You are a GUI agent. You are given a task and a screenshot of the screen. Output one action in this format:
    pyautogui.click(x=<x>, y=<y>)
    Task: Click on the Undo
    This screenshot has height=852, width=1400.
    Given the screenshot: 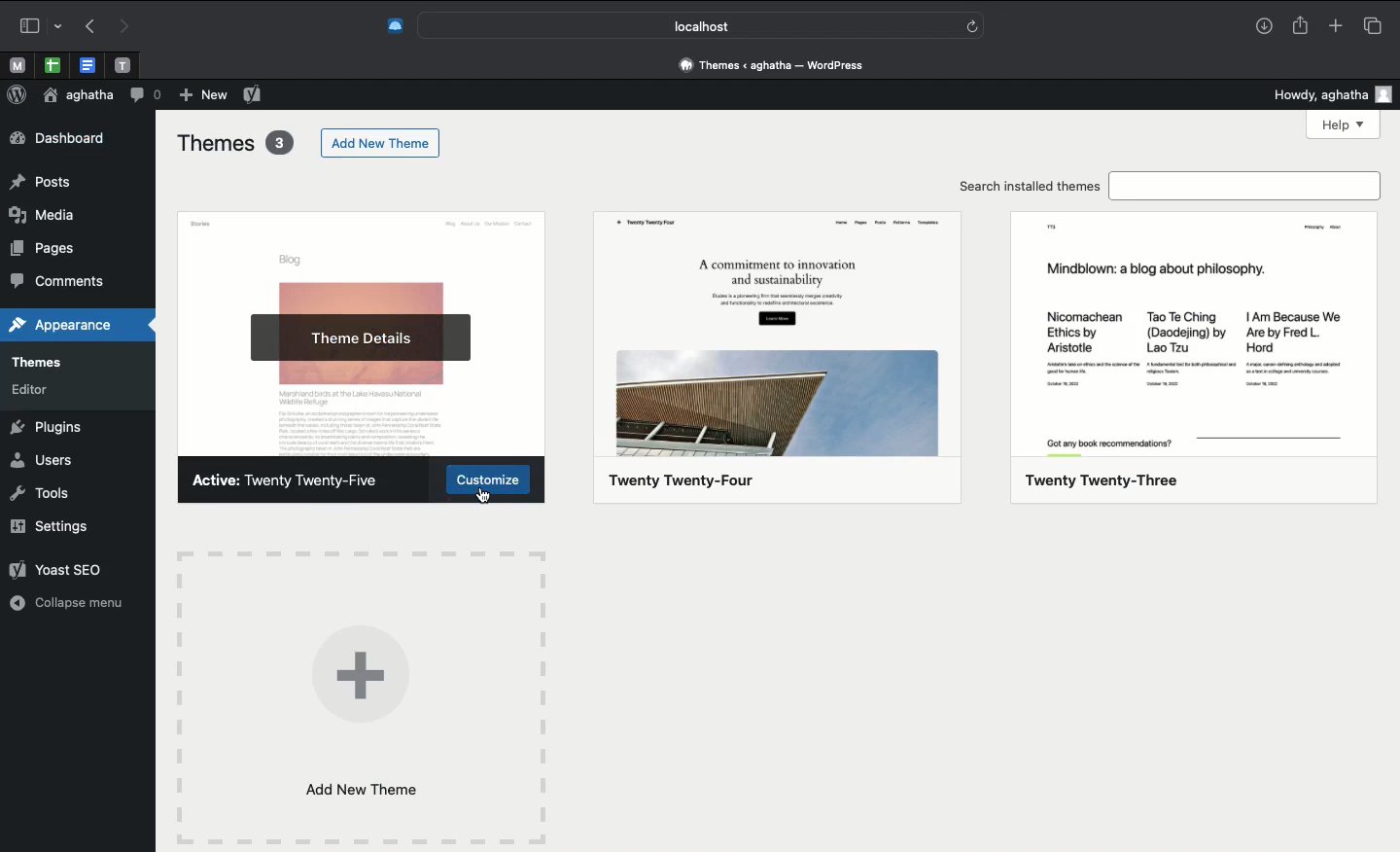 What is the action you would take?
    pyautogui.click(x=90, y=25)
    